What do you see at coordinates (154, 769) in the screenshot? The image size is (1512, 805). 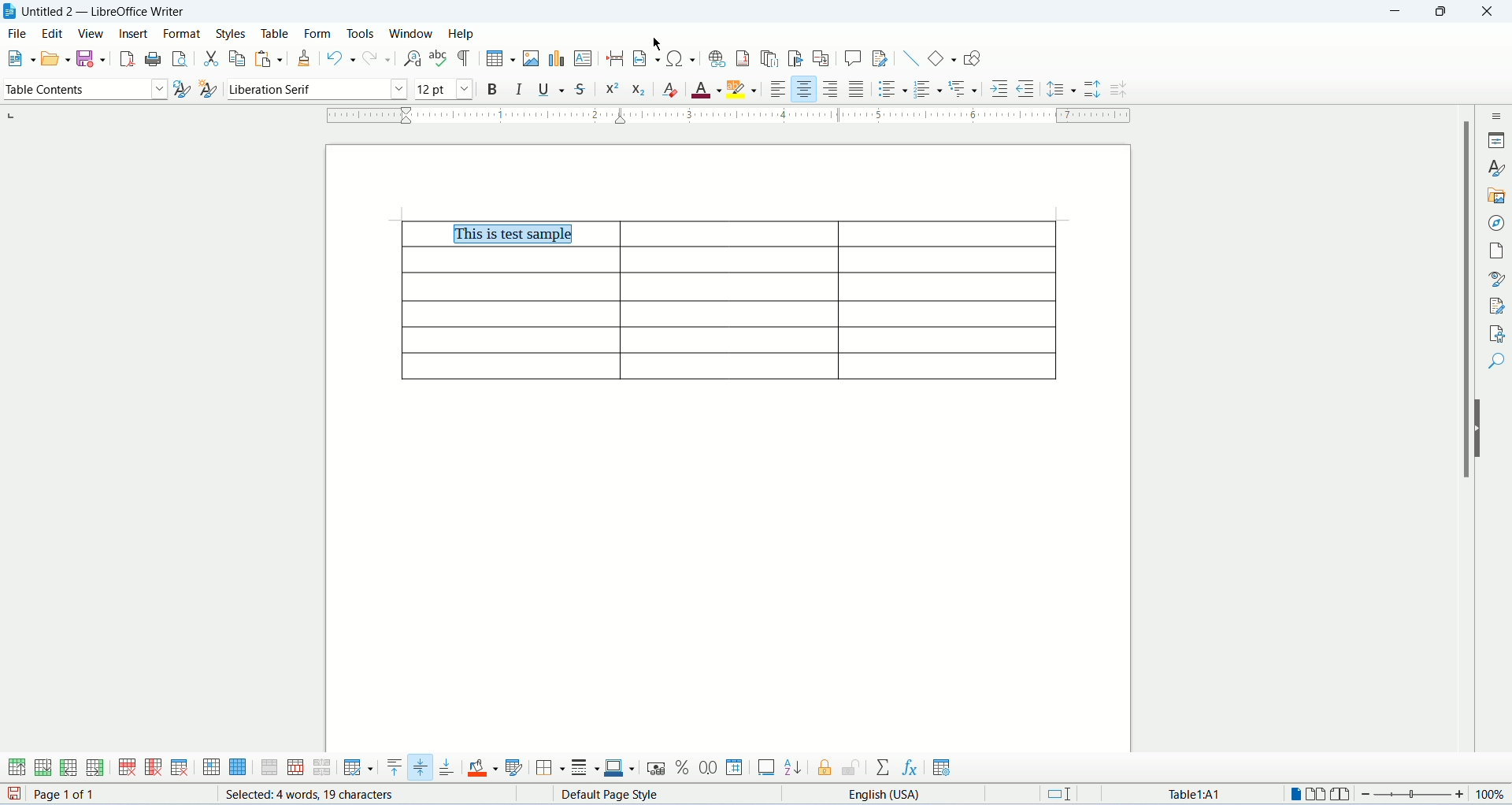 I see `delete column` at bounding box center [154, 769].